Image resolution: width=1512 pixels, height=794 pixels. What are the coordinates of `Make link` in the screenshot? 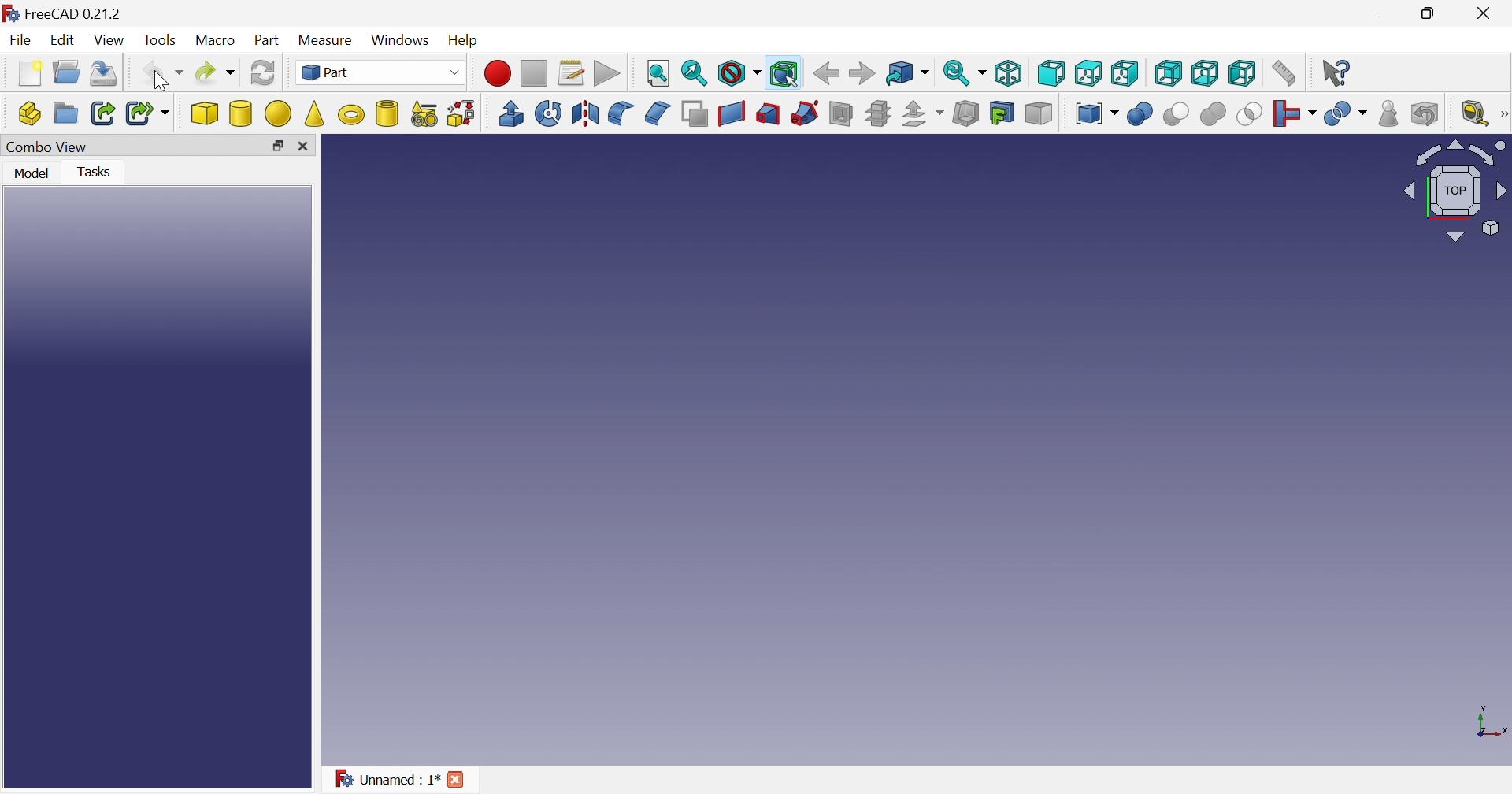 It's located at (103, 112).